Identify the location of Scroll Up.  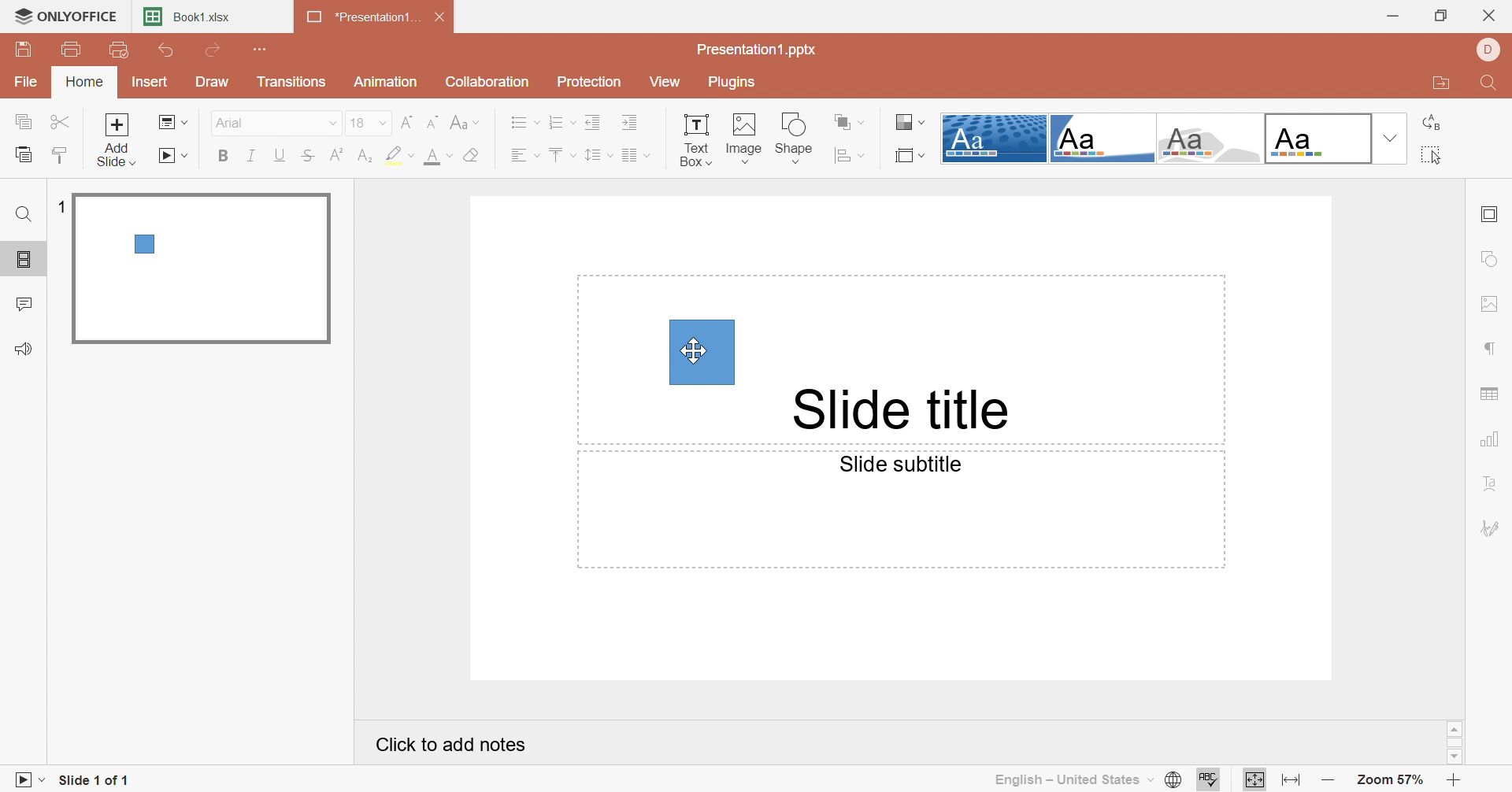
(1455, 728).